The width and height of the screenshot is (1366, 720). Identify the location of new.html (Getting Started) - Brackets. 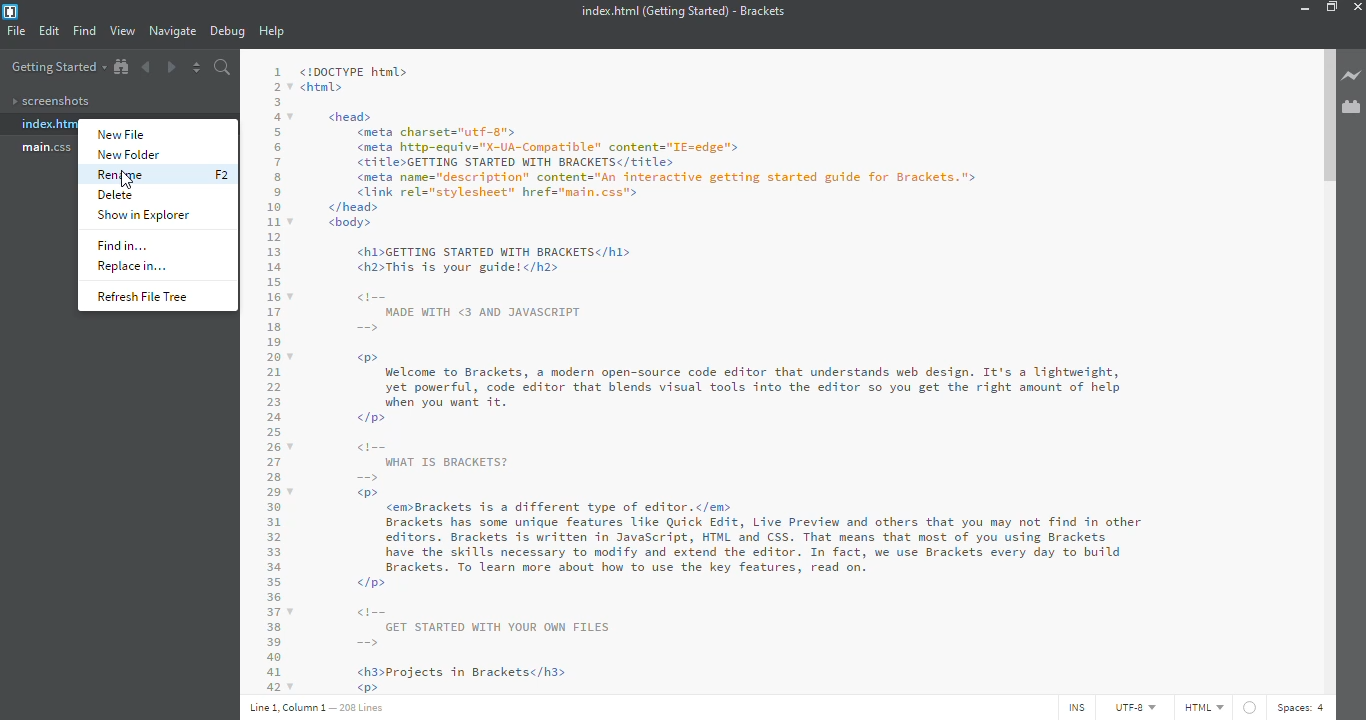
(679, 11).